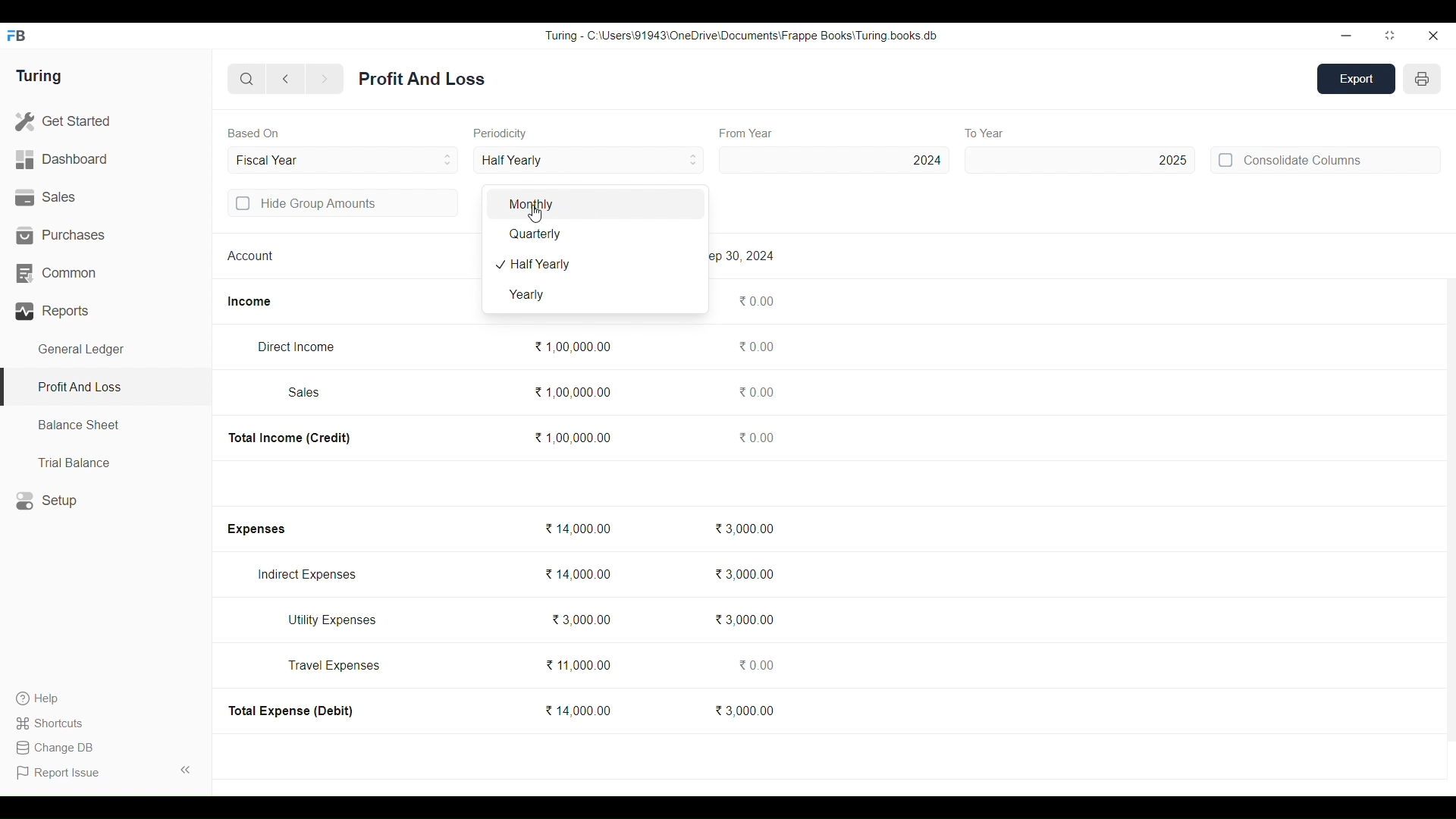  What do you see at coordinates (61, 773) in the screenshot?
I see `Report Issue` at bounding box center [61, 773].